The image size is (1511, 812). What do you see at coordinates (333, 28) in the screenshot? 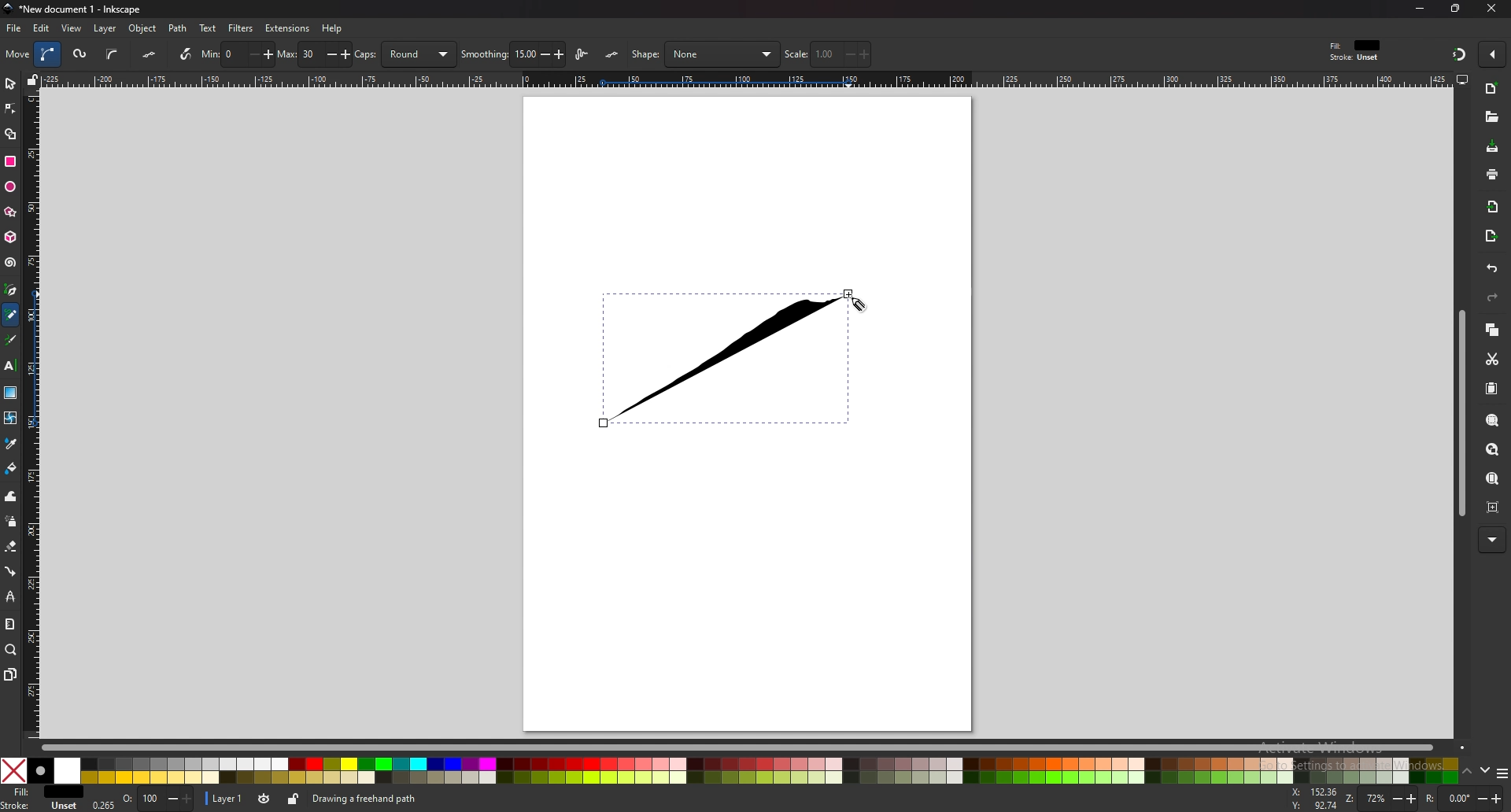
I see `help` at bounding box center [333, 28].